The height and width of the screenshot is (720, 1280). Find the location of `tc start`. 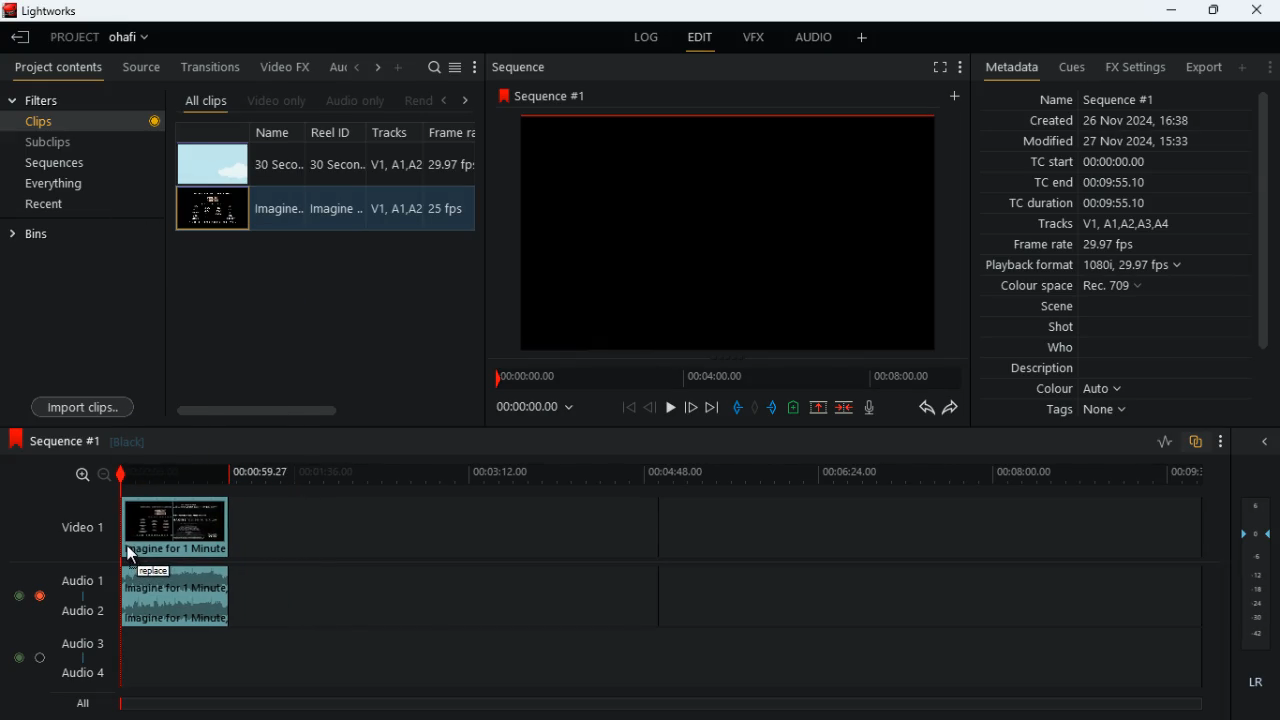

tc start is located at coordinates (1118, 163).